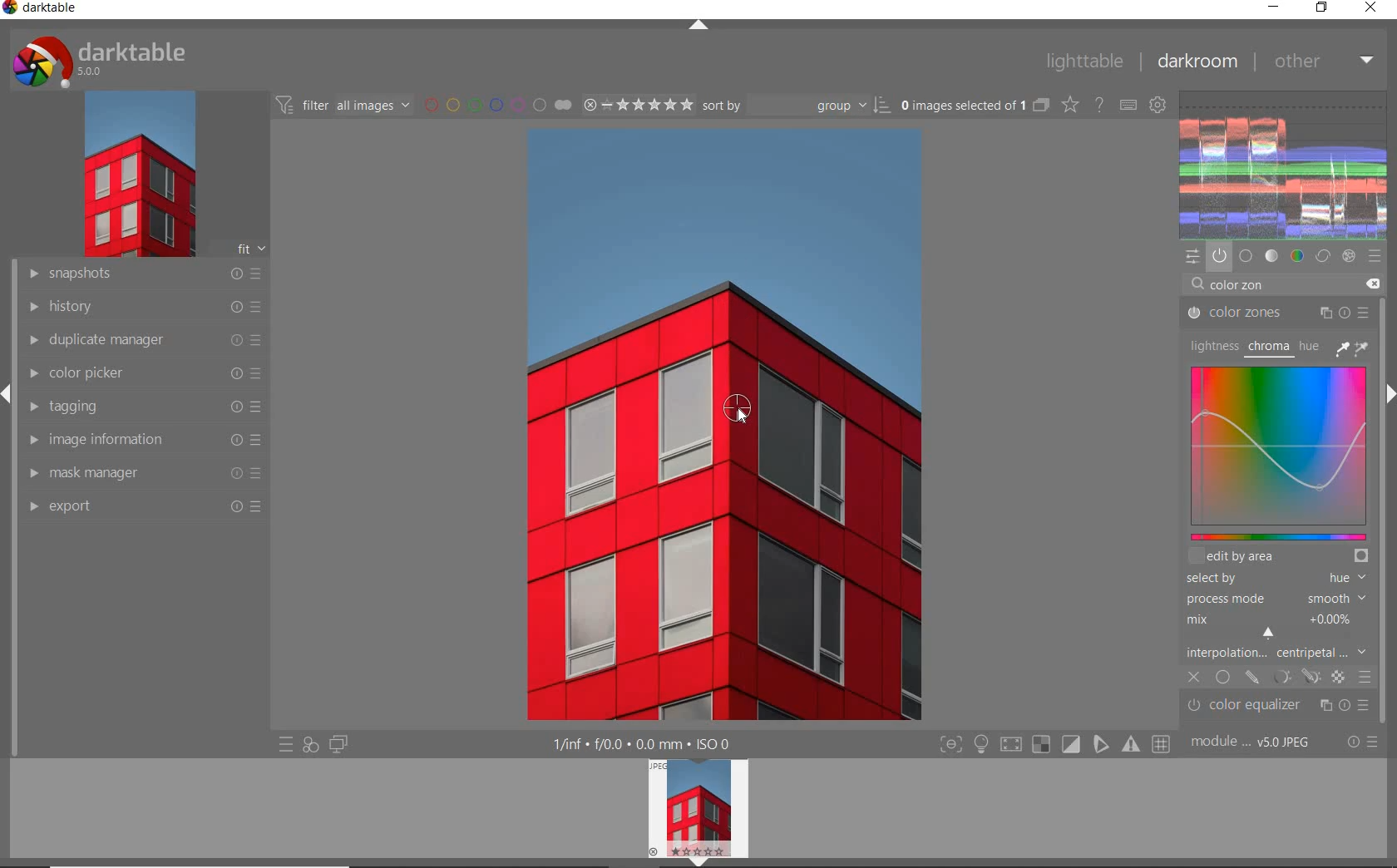 This screenshot has width=1397, height=868. What do you see at coordinates (639, 104) in the screenshot?
I see `selected Image range rating` at bounding box center [639, 104].